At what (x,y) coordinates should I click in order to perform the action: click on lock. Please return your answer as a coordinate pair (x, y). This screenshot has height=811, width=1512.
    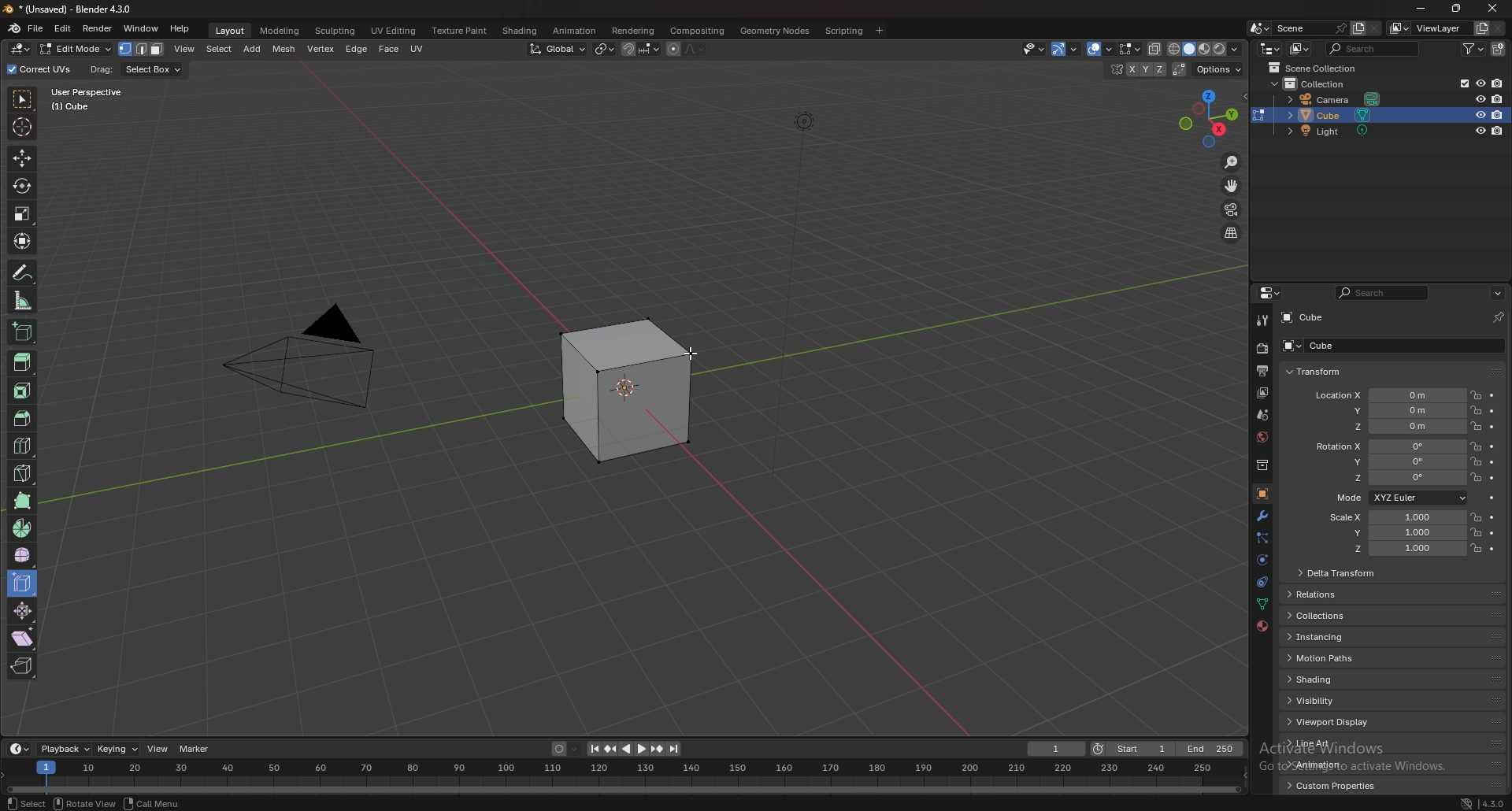
    Looking at the image, I should click on (1475, 517).